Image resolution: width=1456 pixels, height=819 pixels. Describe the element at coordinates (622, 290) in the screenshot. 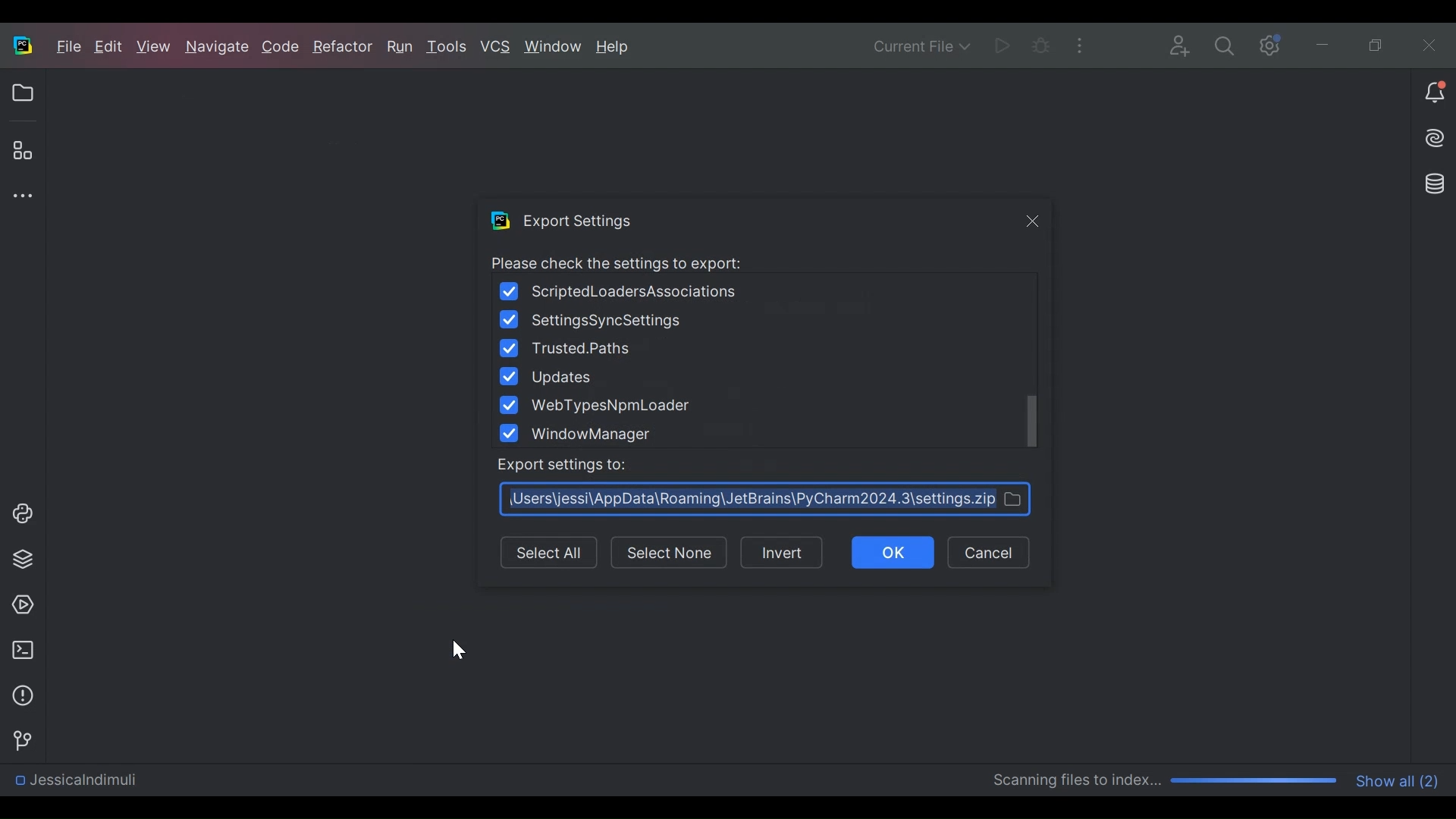

I see `(un)check ScripteLoadersAssociation` at that location.